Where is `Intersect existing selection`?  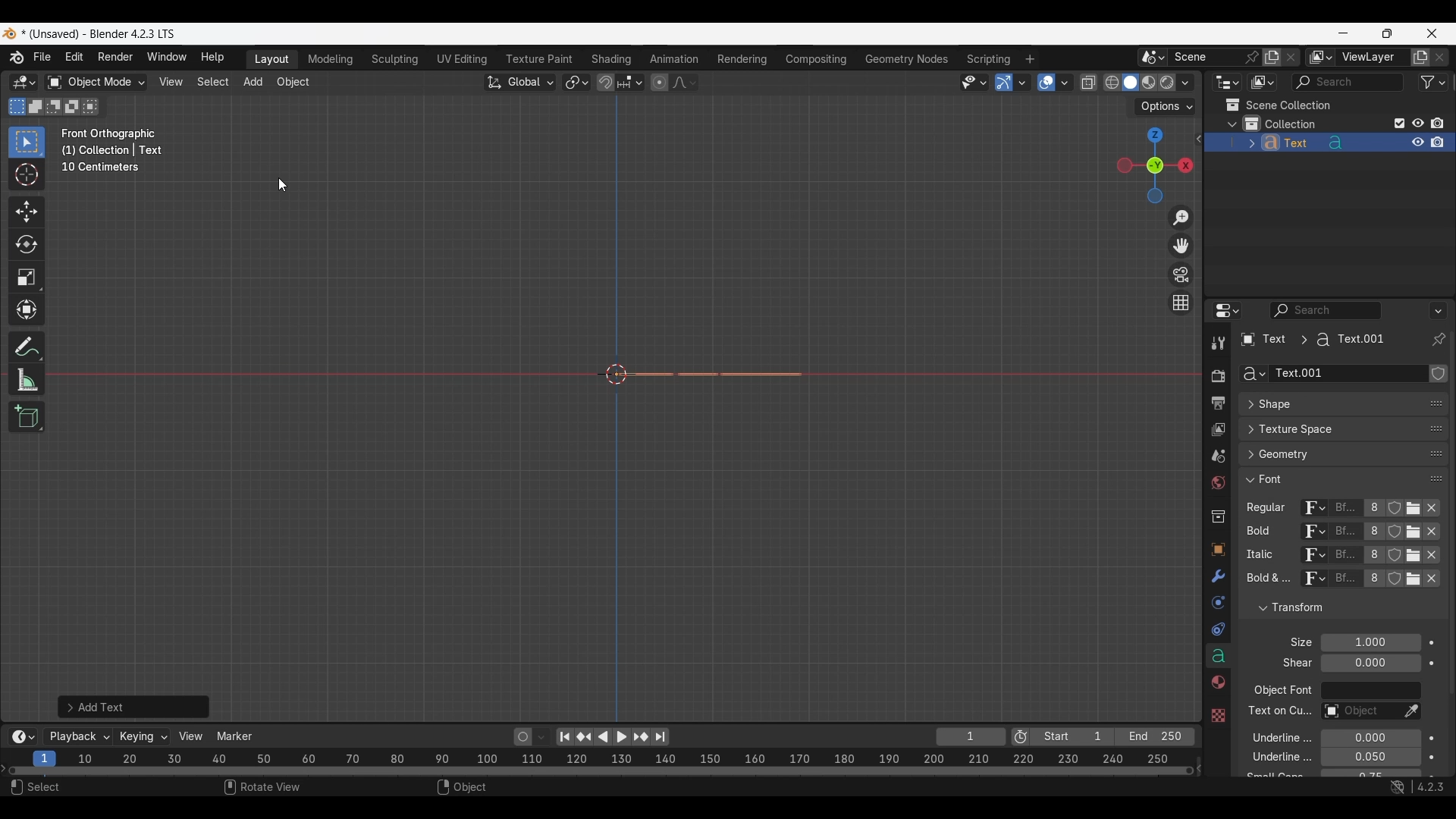
Intersect existing selection is located at coordinates (89, 107).